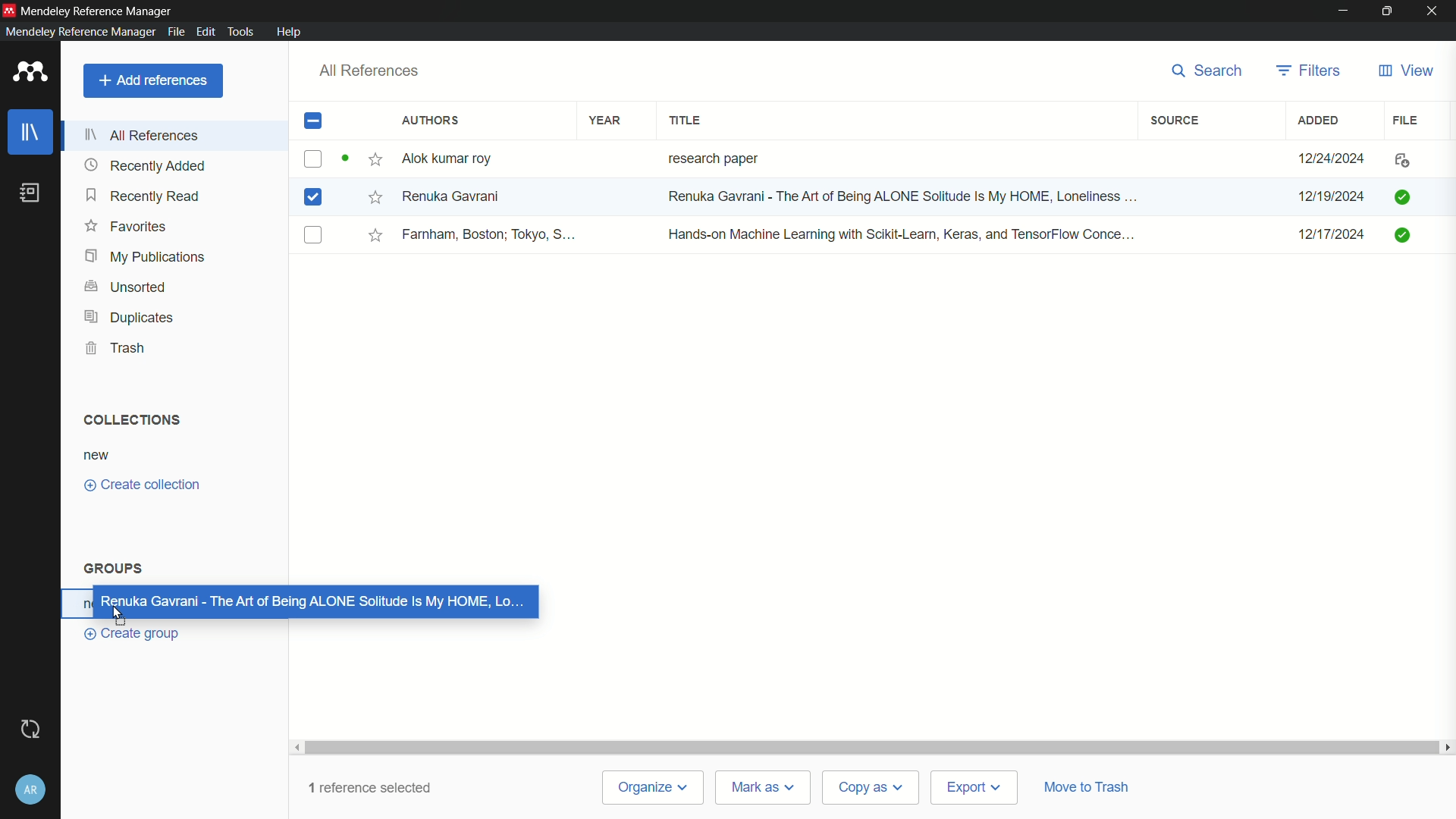  Describe the element at coordinates (9, 8) in the screenshot. I see `app icon` at that location.